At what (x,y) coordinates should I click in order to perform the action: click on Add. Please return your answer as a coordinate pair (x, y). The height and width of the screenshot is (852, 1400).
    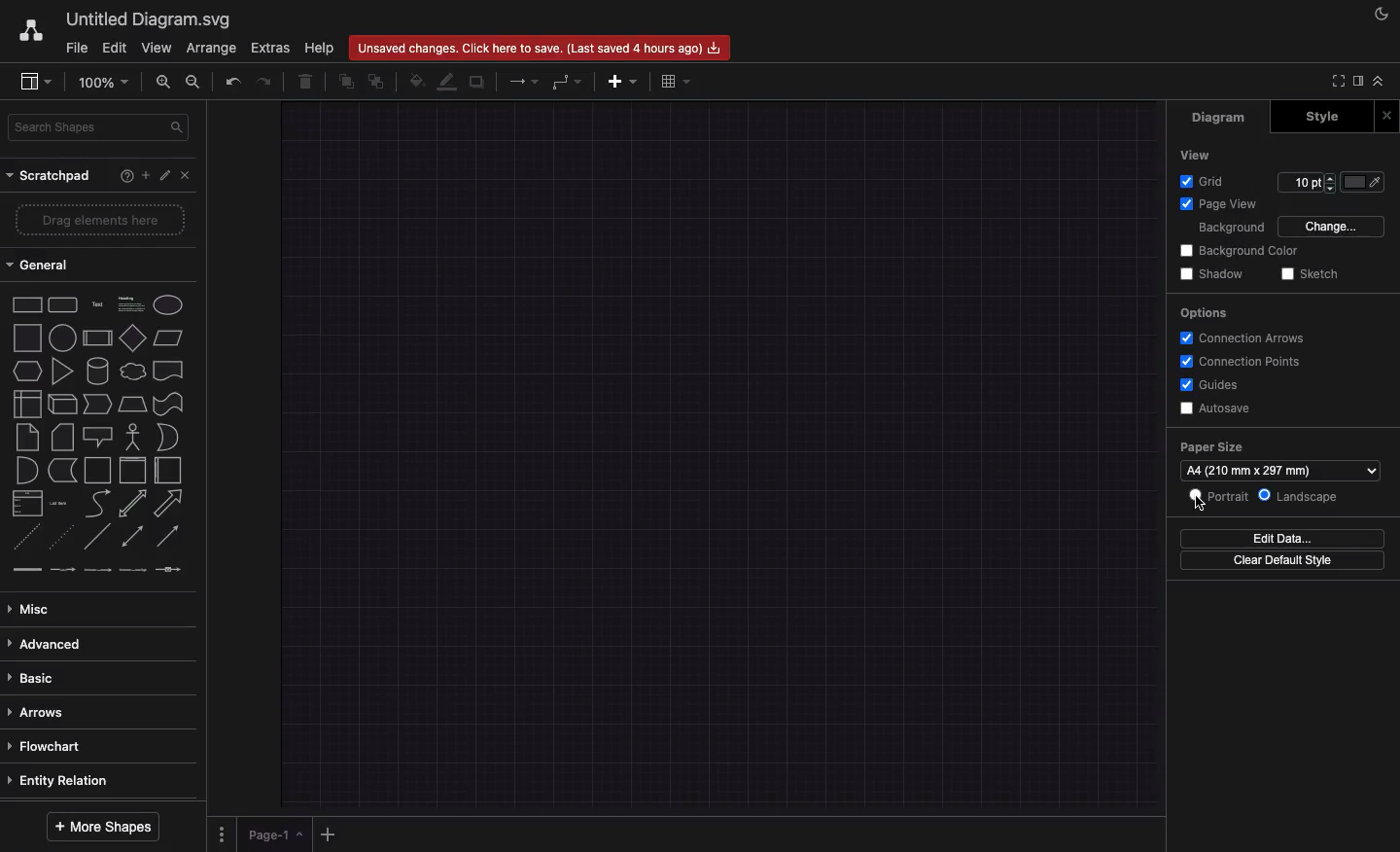
    Looking at the image, I should click on (624, 81).